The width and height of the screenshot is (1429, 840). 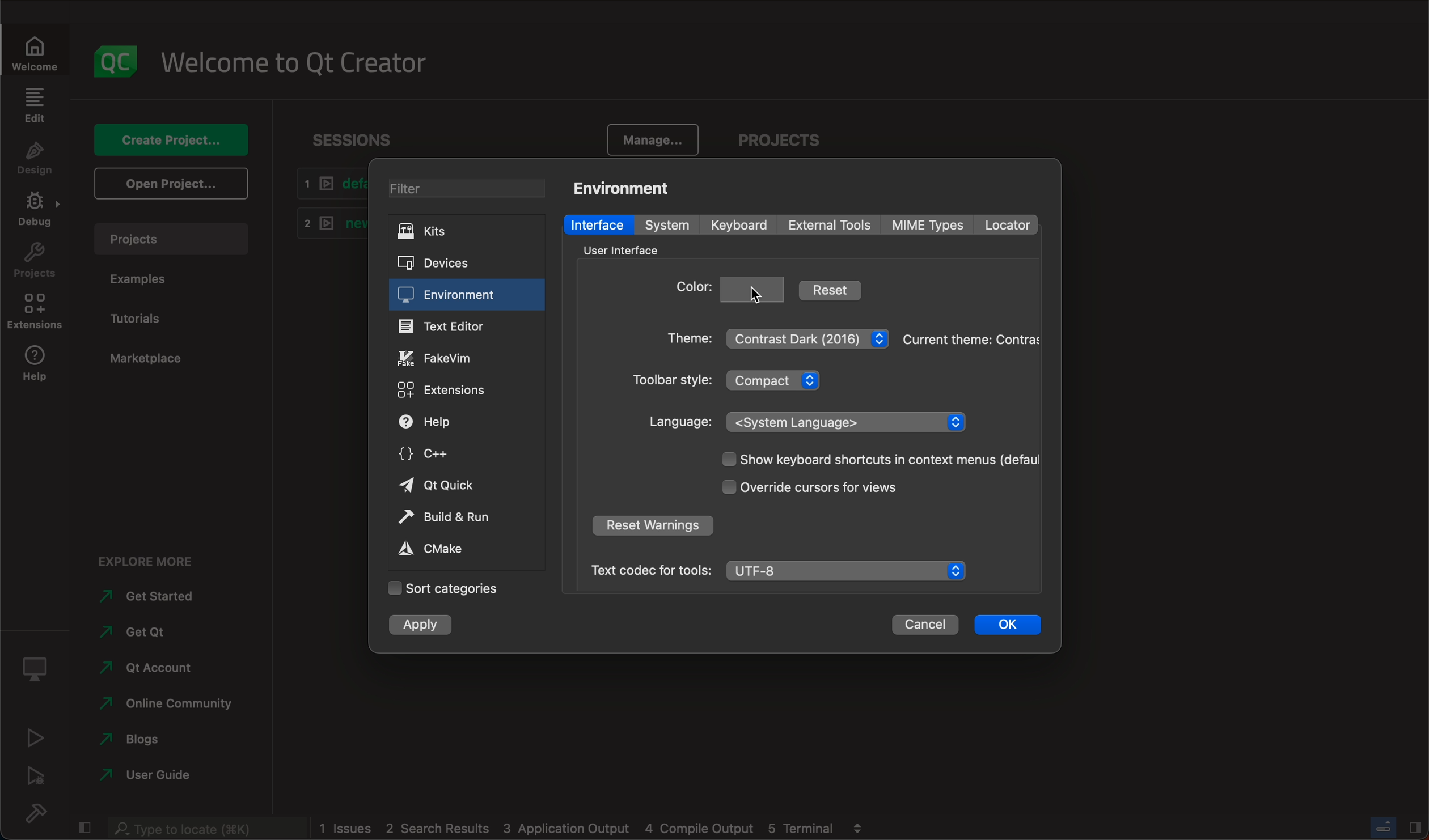 I want to click on cursor, so click(x=831, y=487).